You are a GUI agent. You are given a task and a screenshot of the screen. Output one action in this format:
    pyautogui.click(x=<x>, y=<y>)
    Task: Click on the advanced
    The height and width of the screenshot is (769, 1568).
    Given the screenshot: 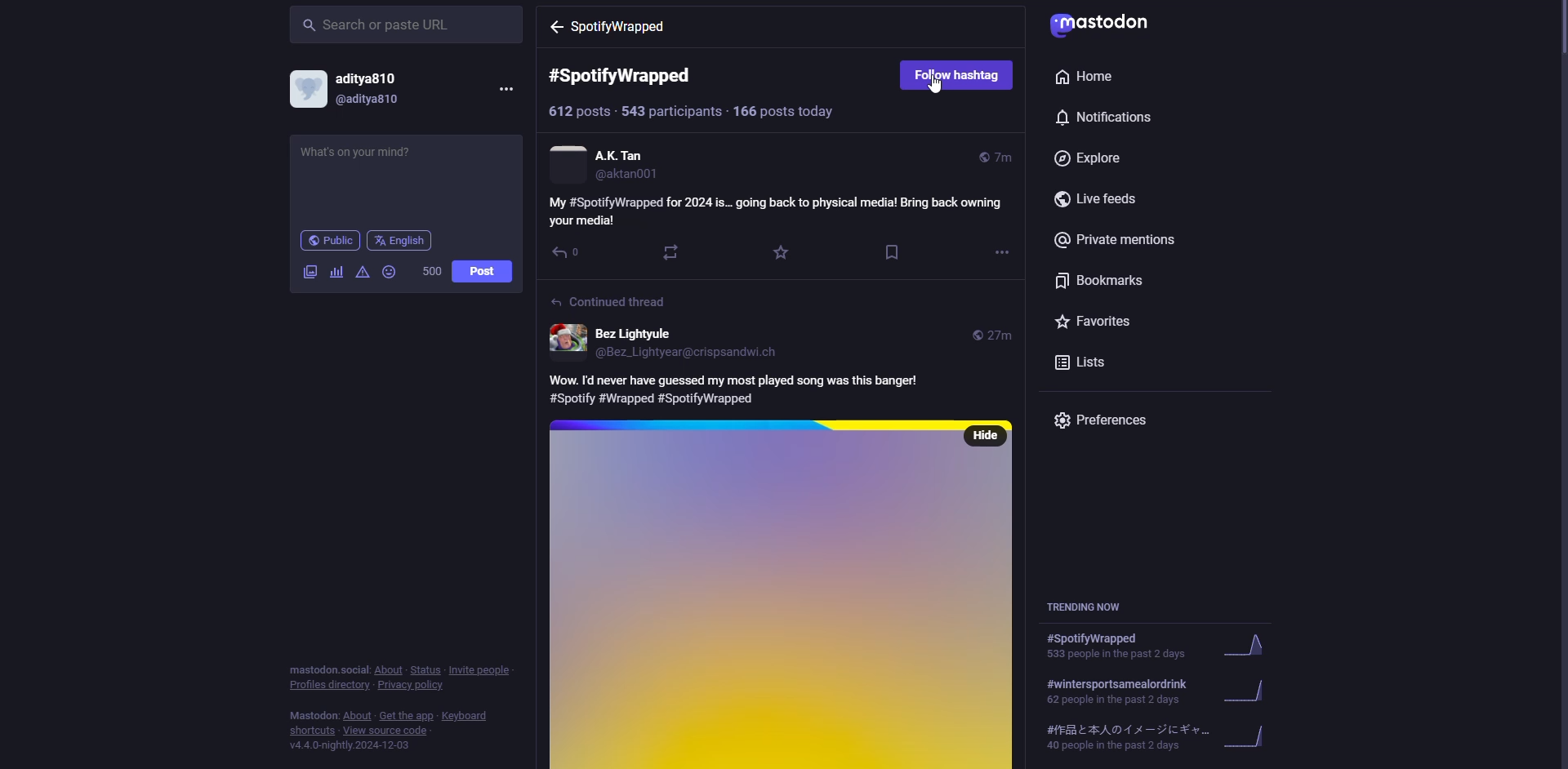 What is the action you would take?
    pyautogui.click(x=363, y=272)
    